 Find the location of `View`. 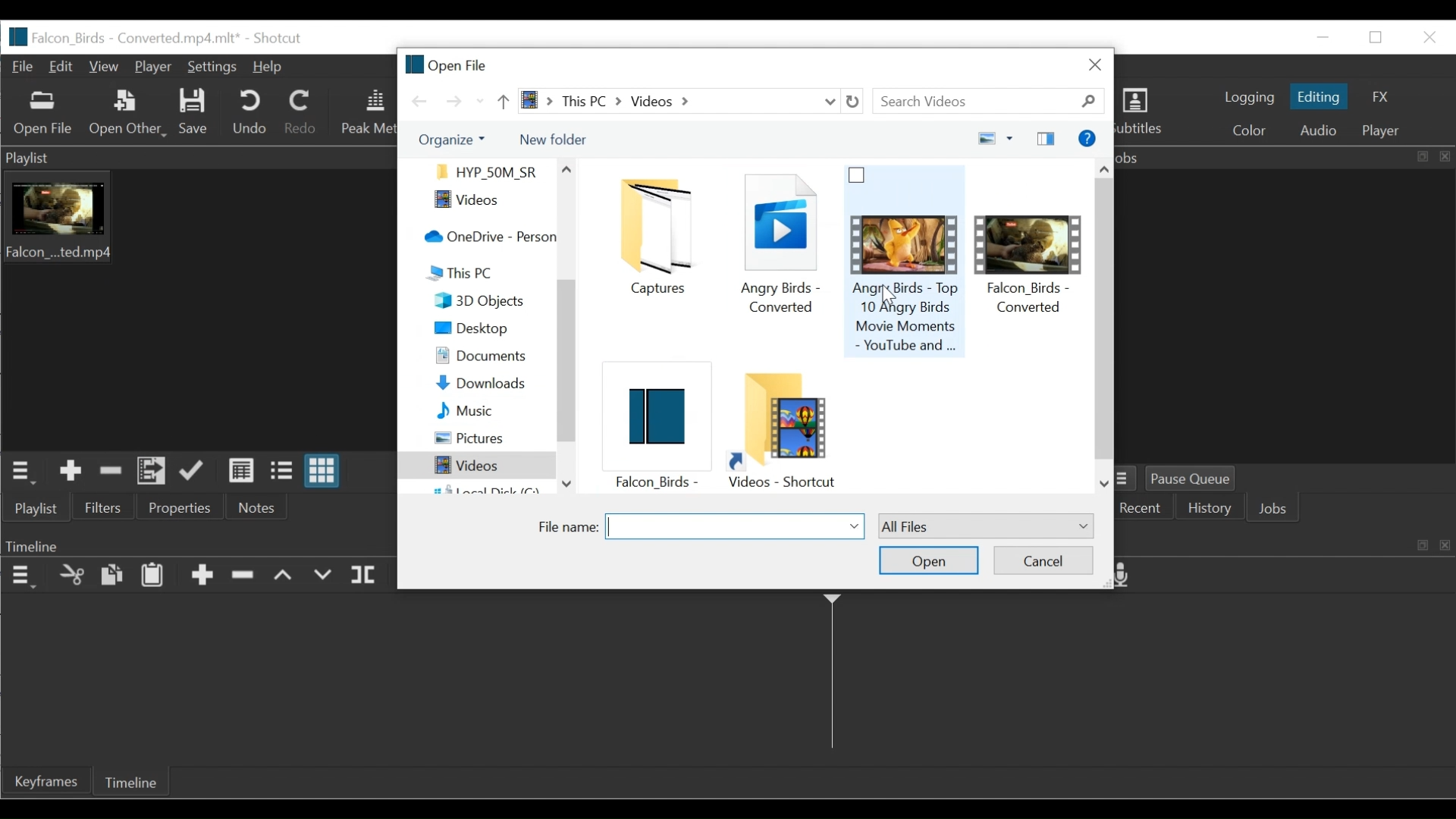

View is located at coordinates (106, 67).